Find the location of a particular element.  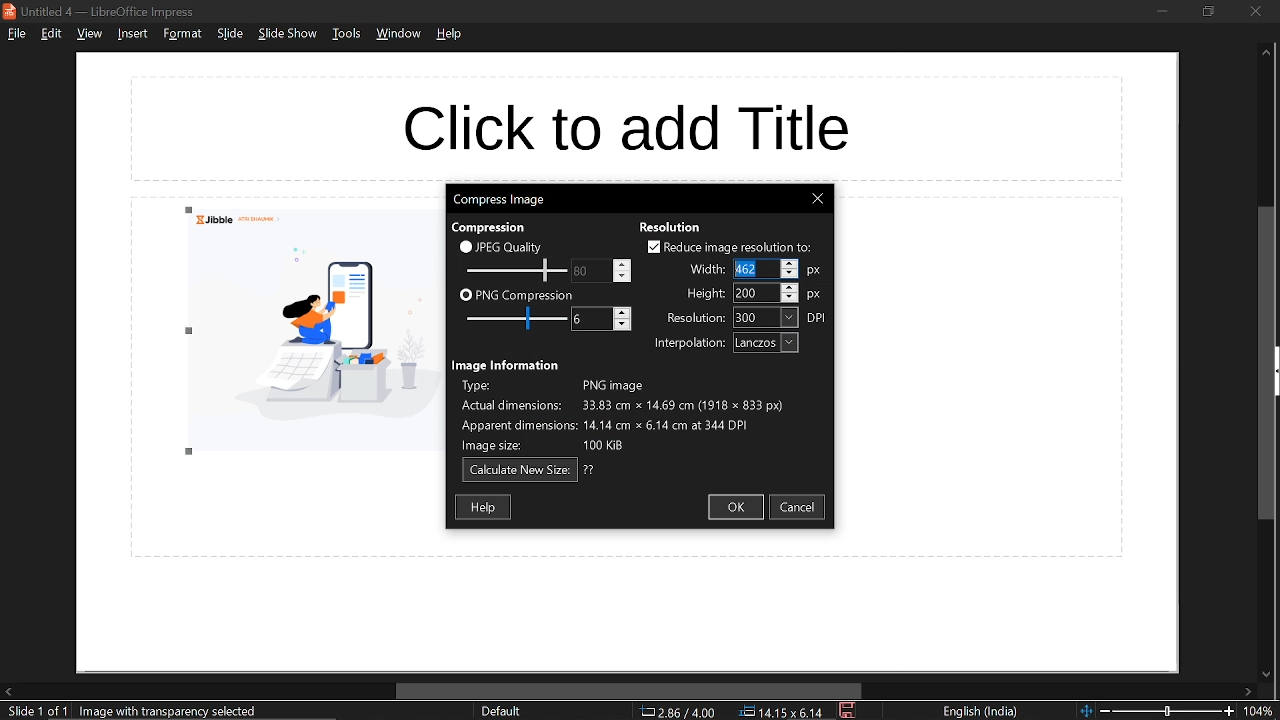

width is located at coordinates (704, 268).